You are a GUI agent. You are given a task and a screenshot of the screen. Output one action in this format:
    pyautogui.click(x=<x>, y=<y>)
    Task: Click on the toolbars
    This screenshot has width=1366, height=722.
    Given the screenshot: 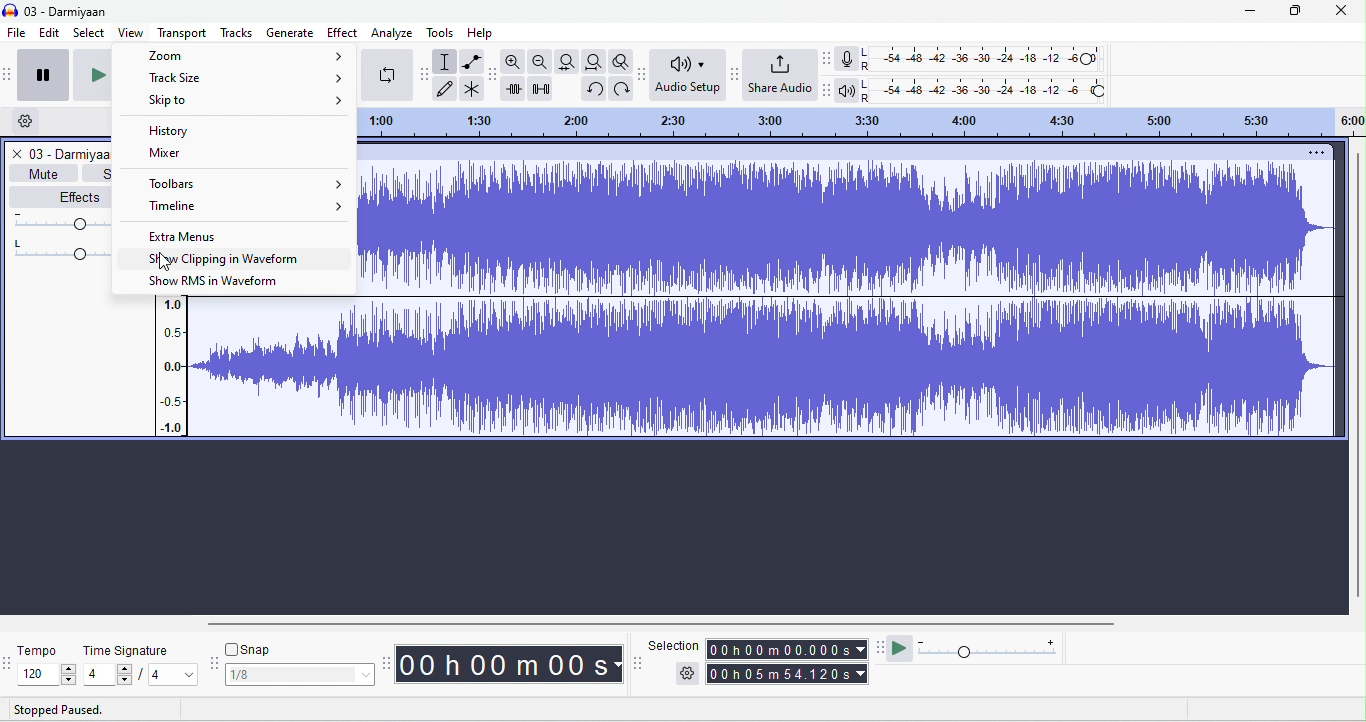 What is the action you would take?
    pyautogui.click(x=245, y=184)
    